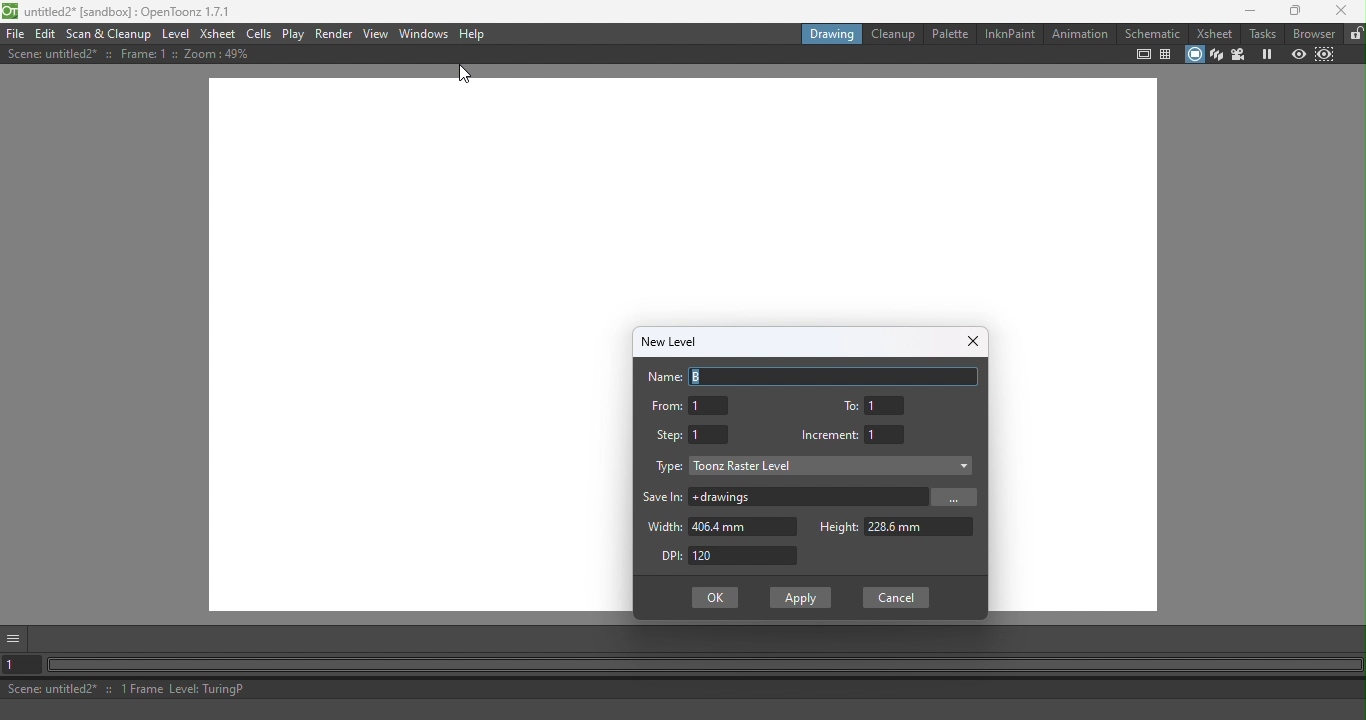  What do you see at coordinates (973, 340) in the screenshot?
I see `Close` at bounding box center [973, 340].